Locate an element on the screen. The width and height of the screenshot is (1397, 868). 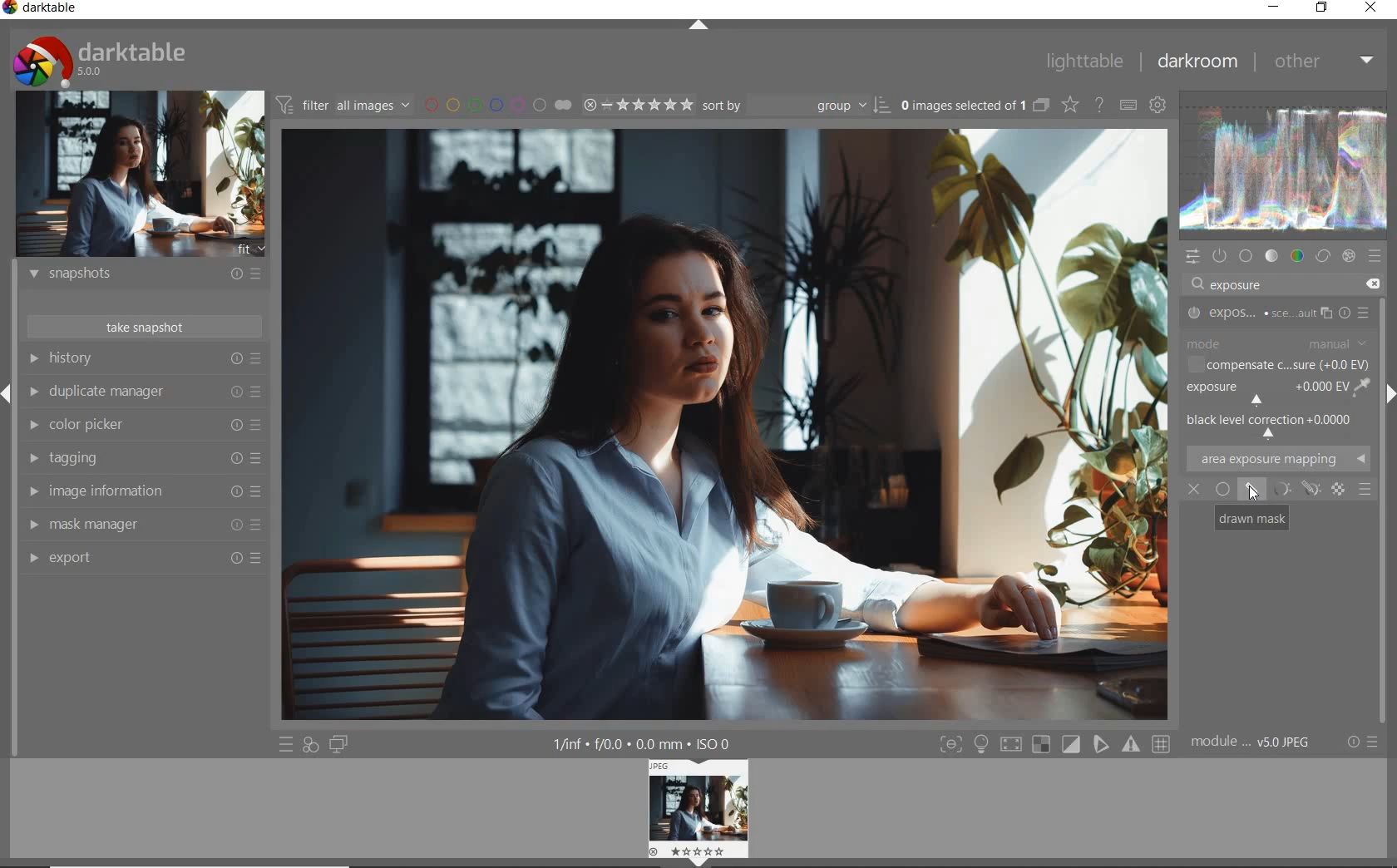
MODE is located at coordinates (1278, 344).